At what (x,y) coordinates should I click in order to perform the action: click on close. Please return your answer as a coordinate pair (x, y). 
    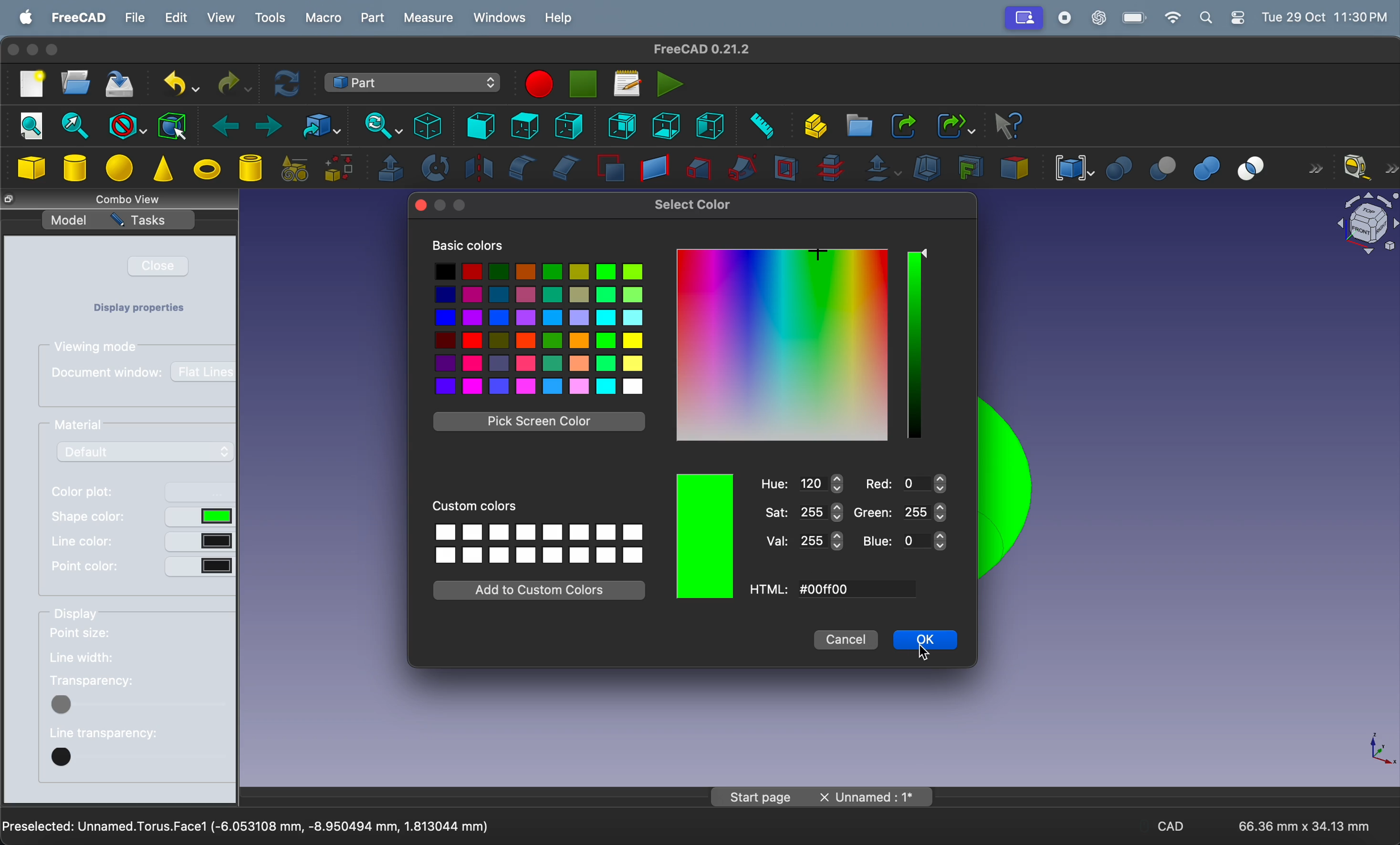
    Looking at the image, I should click on (421, 206).